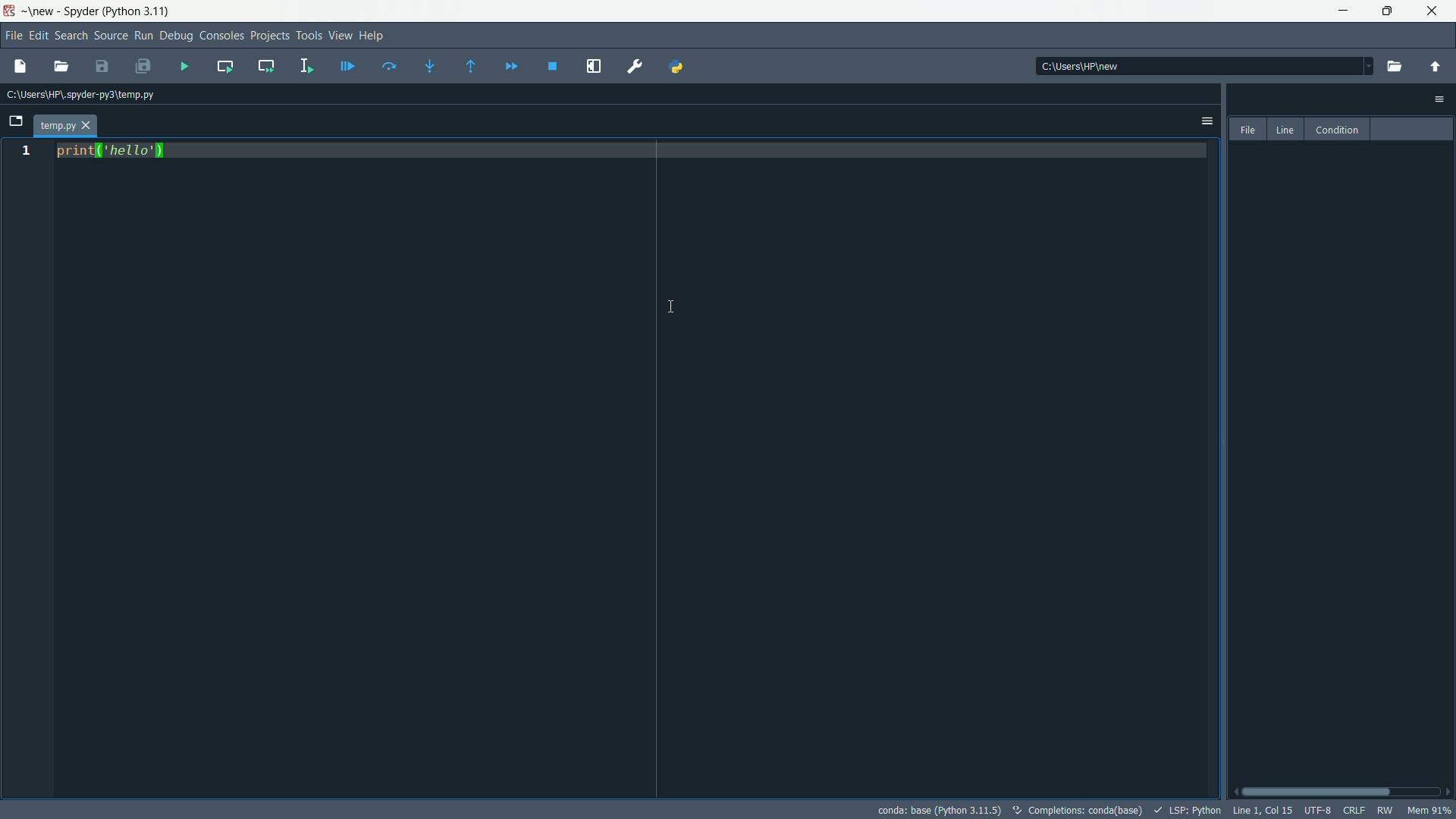 Image resolution: width=1456 pixels, height=819 pixels. Describe the element at coordinates (635, 67) in the screenshot. I see `preferences` at that location.